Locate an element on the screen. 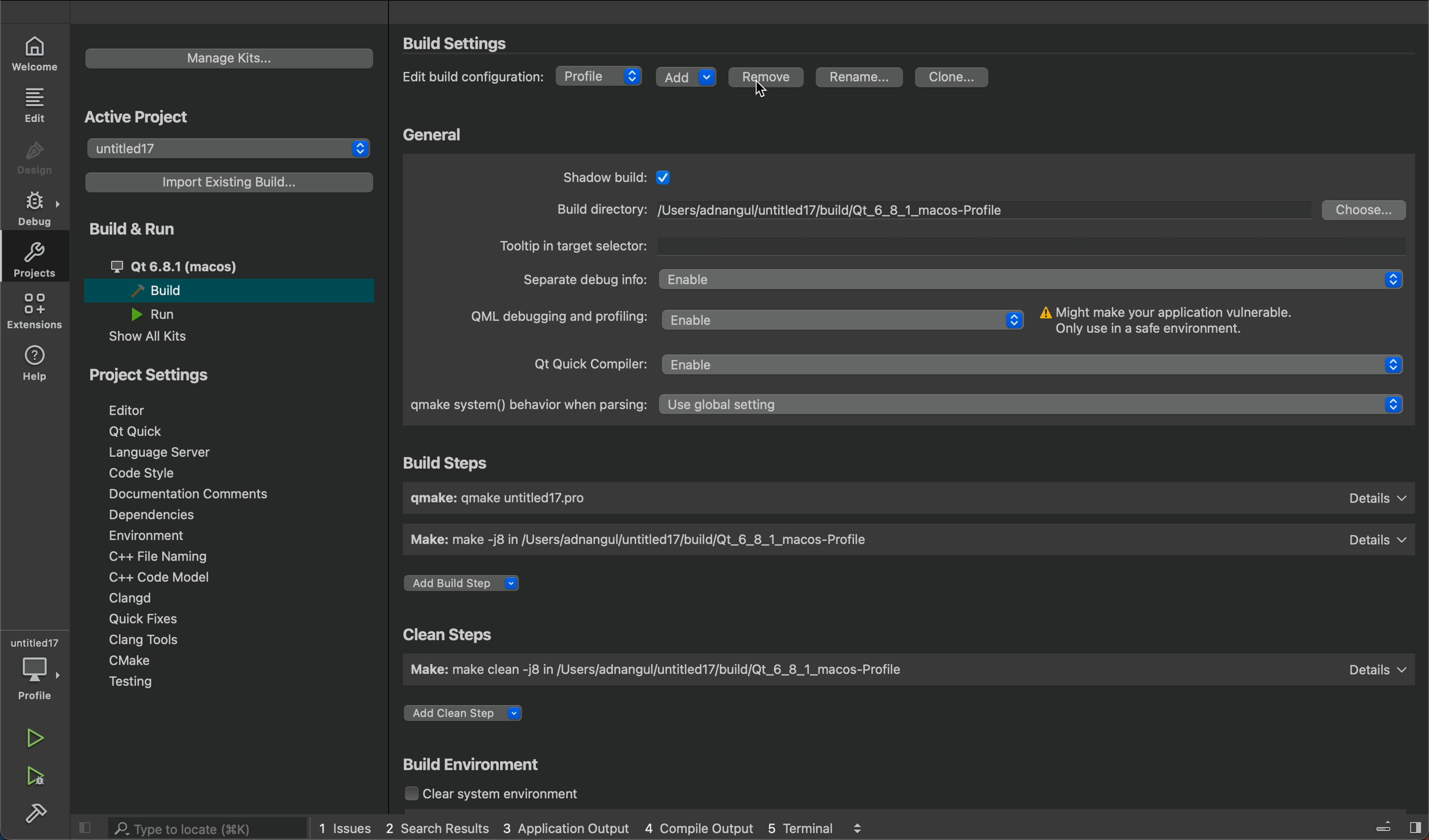 The image size is (1429, 840). logs is located at coordinates (608, 827).